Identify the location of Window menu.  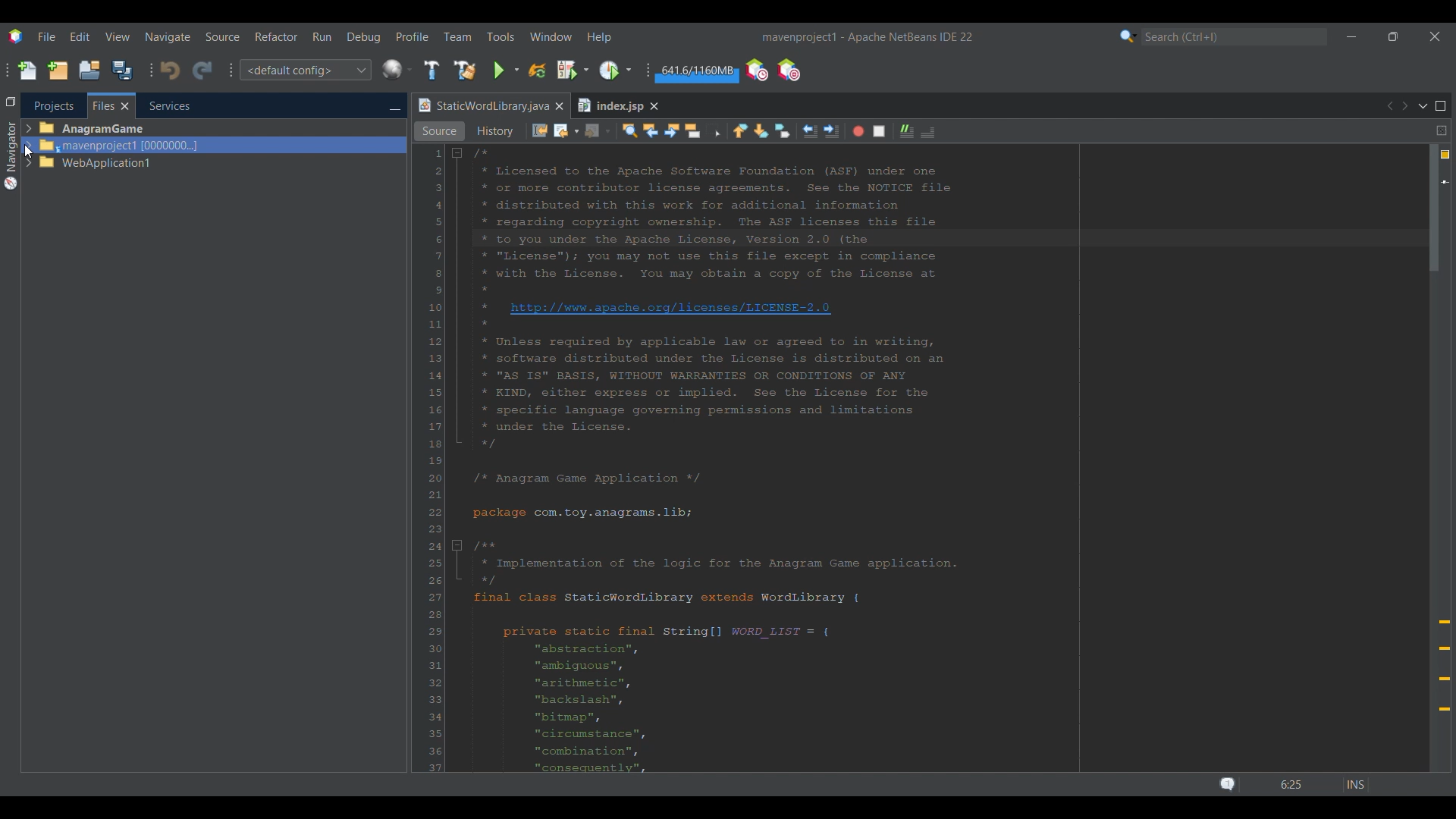
(551, 36).